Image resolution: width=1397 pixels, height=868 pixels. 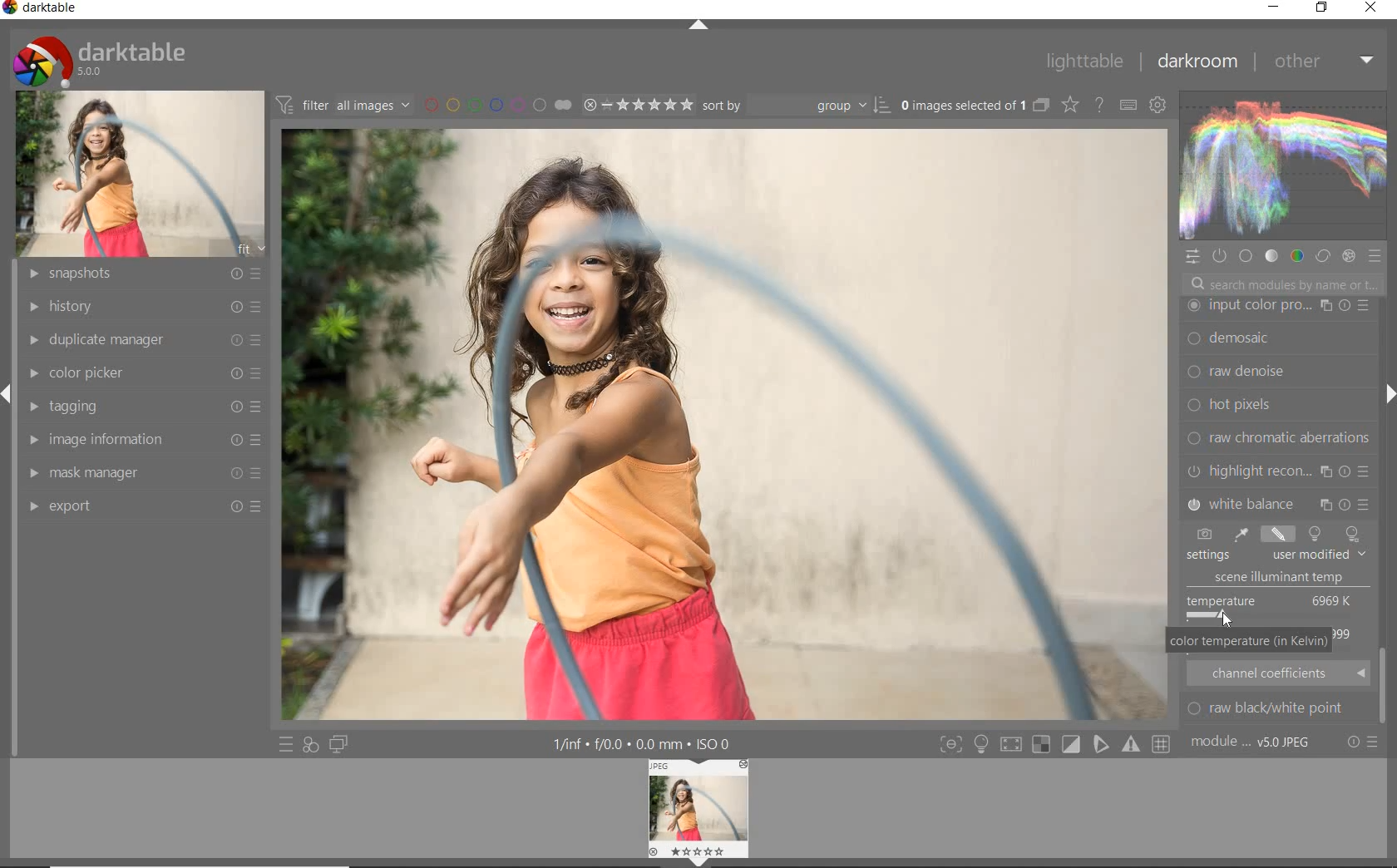 What do you see at coordinates (1271, 255) in the screenshot?
I see `tone` at bounding box center [1271, 255].